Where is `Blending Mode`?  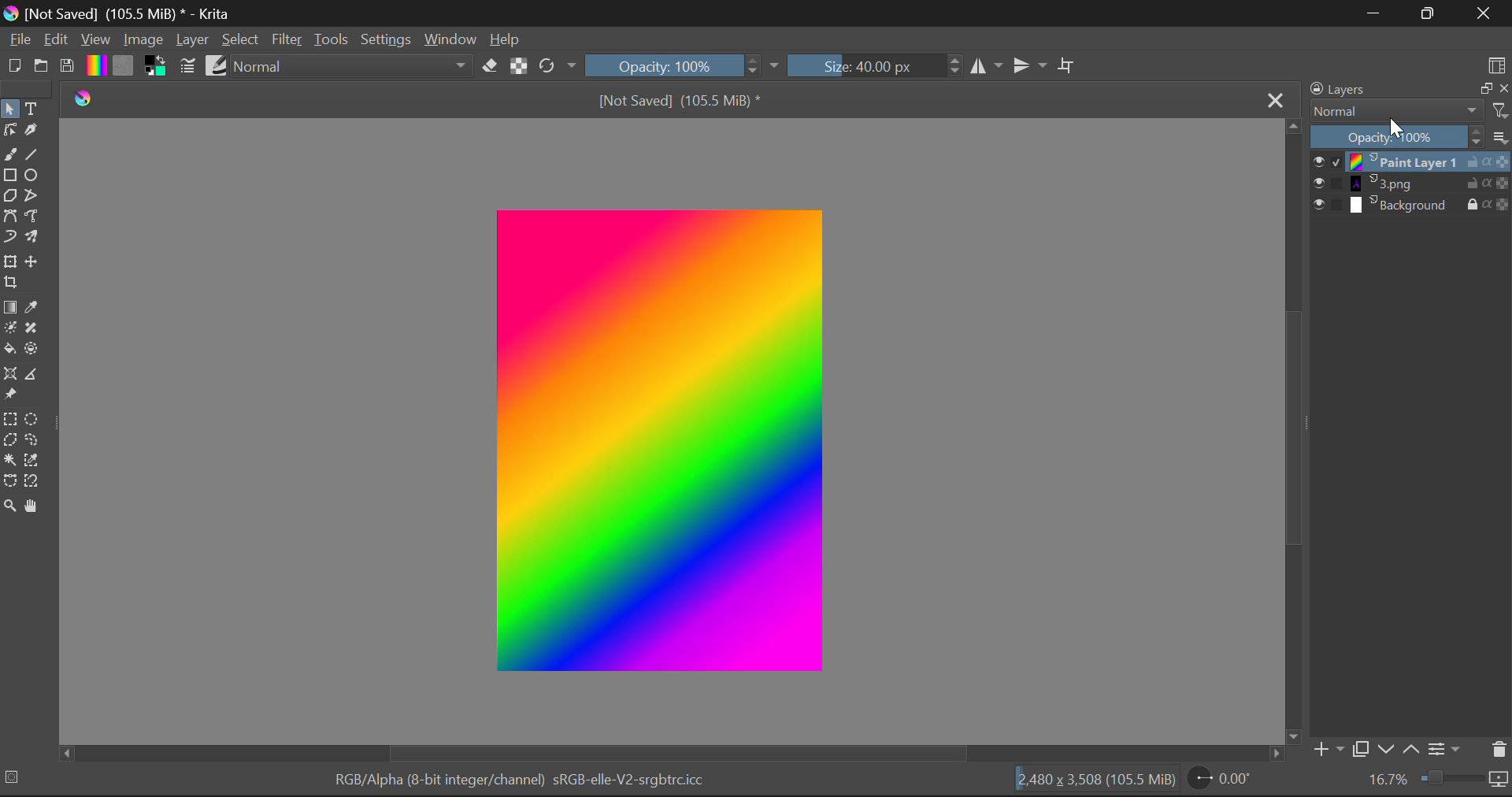
Blending Mode is located at coordinates (1411, 110).